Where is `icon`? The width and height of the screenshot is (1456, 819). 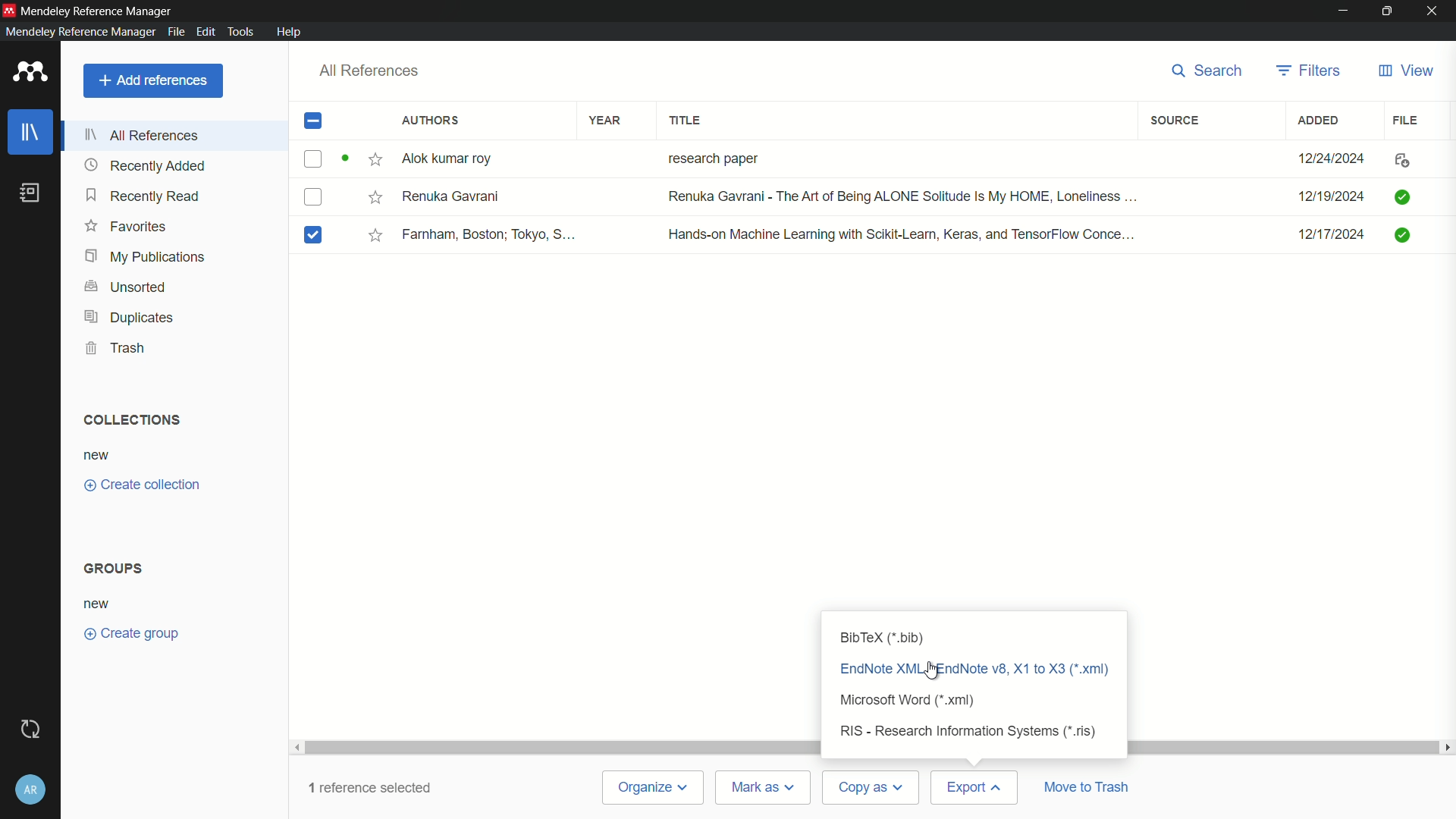
icon is located at coordinates (1401, 197).